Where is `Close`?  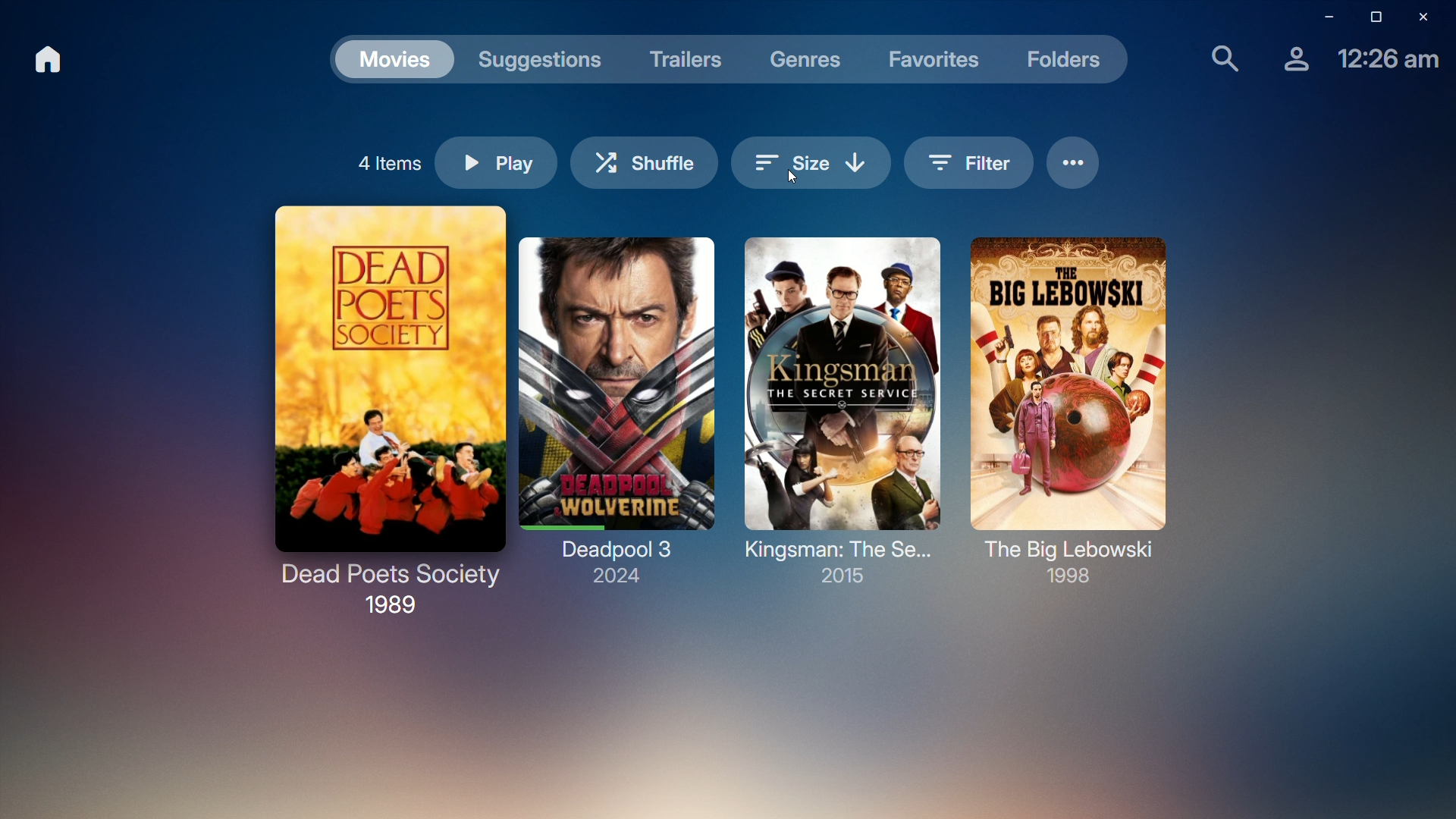
Close is located at coordinates (1429, 17).